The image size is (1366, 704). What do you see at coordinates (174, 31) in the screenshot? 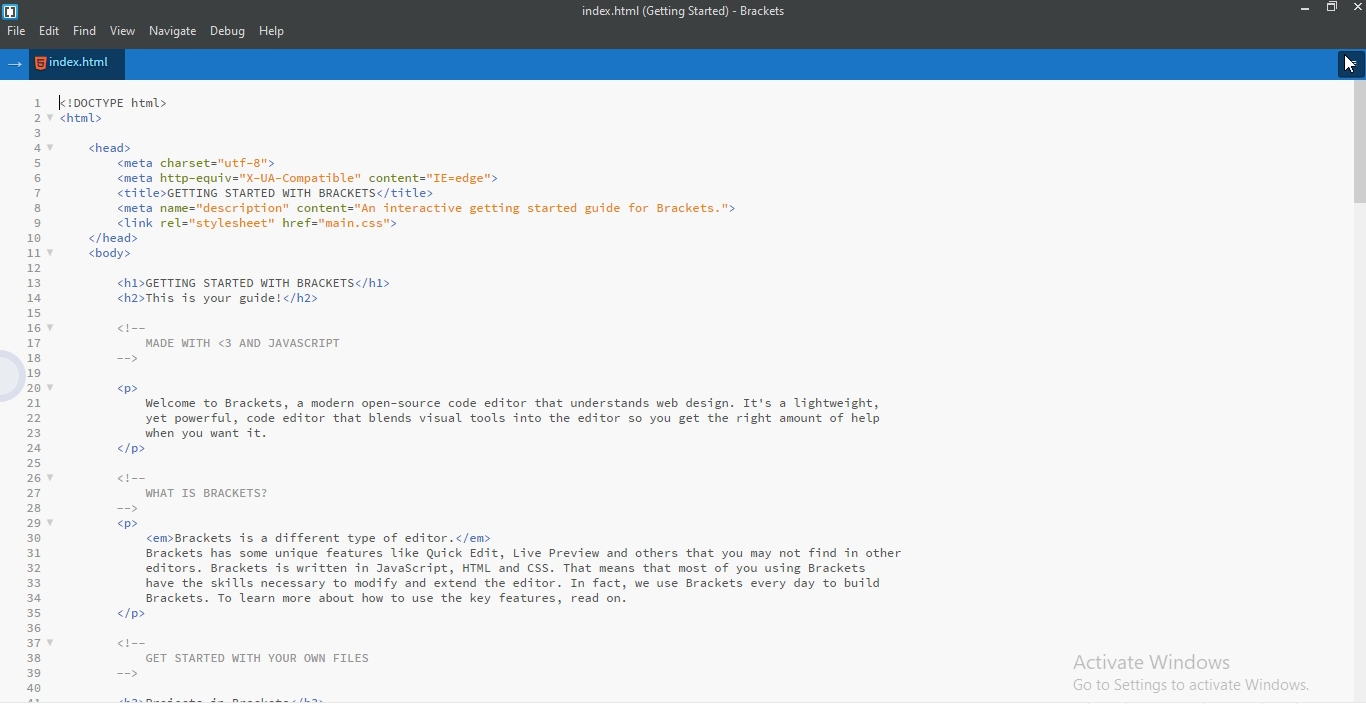
I see `navigate` at bounding box center [174, 31].